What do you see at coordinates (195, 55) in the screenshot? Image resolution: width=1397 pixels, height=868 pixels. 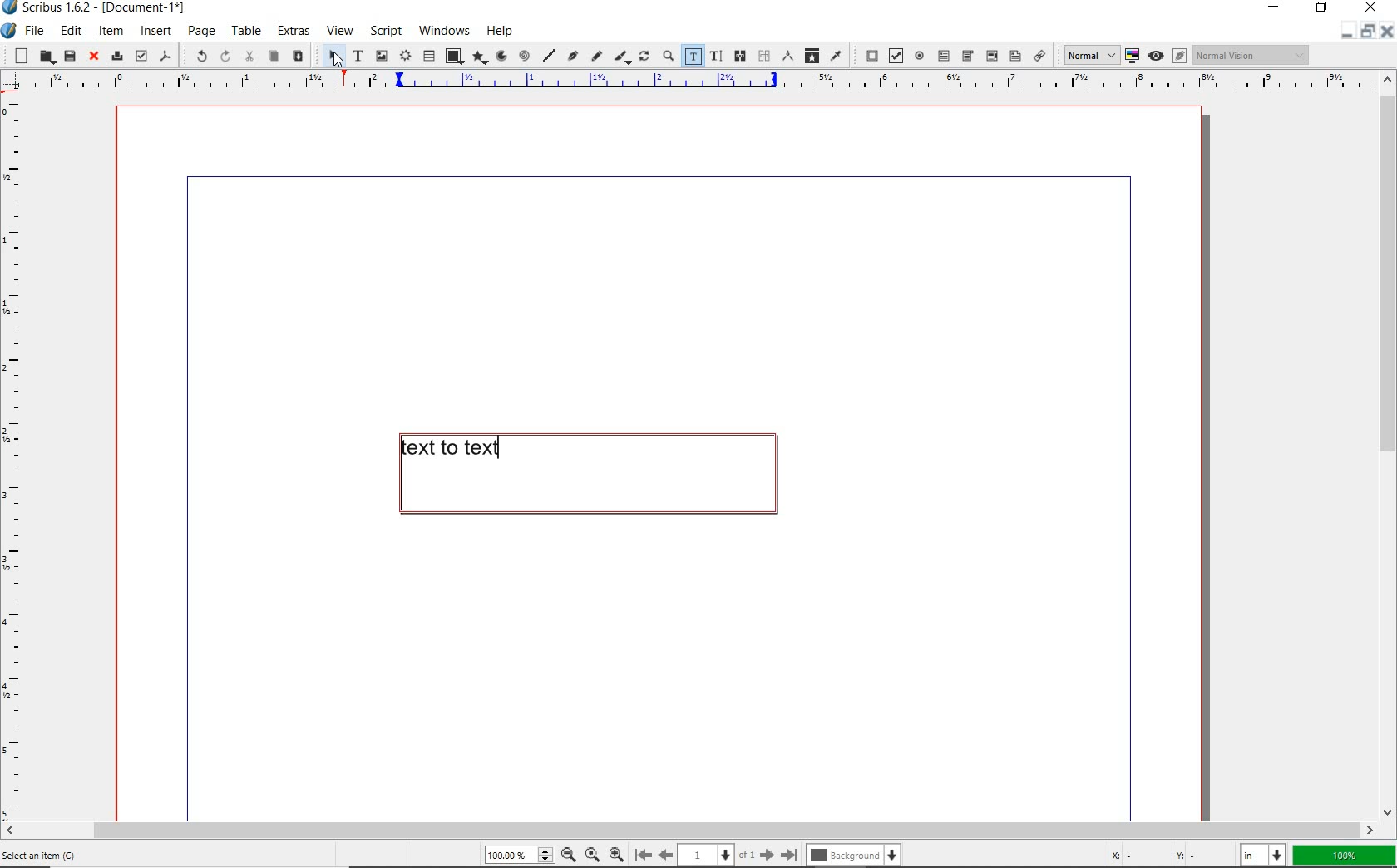 I see `undo` at bounding box center [195, 55].